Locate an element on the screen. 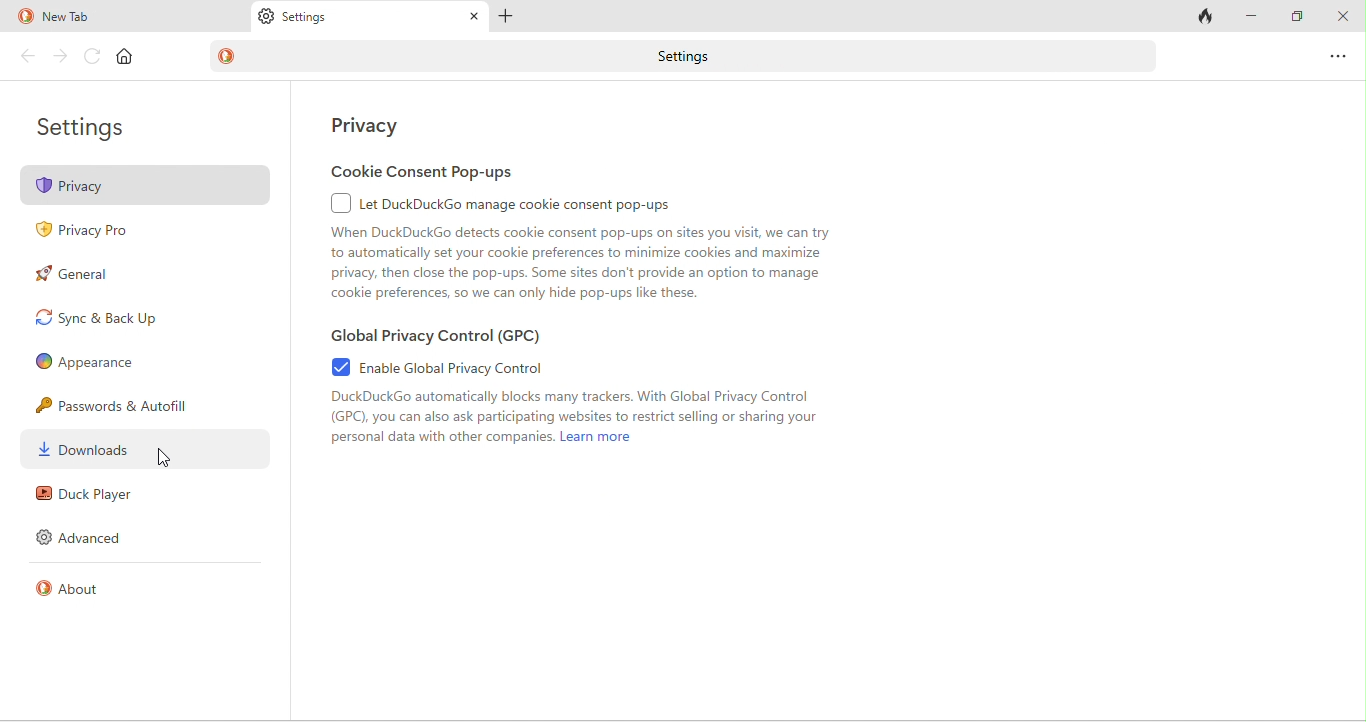 Image resolution: width=1366 pixels, height=722 pixels. privacy pro is located at coordinates (97, 230).